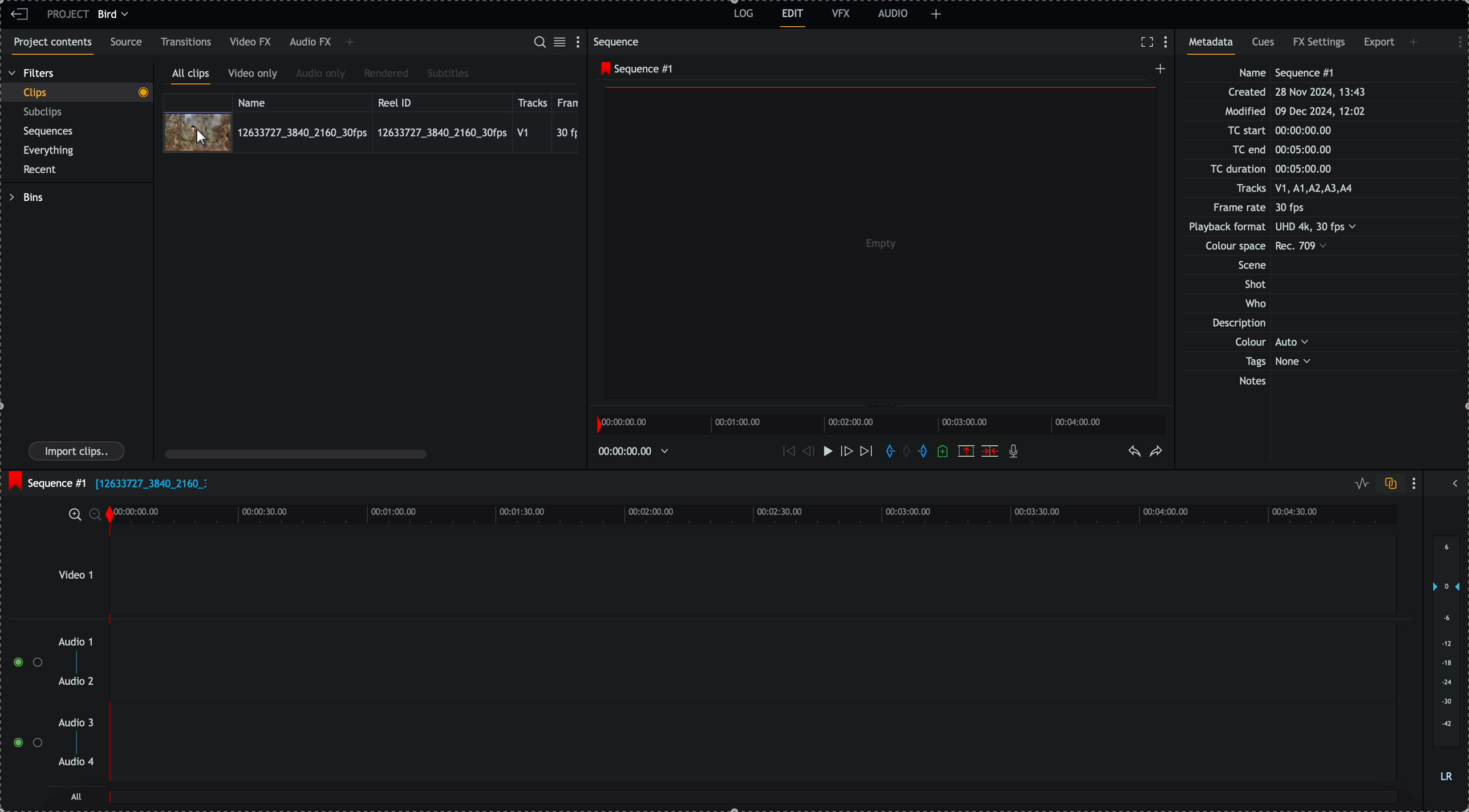  What do you see at coordinates (128, 43) in the screenshot?
I see `source` at bounding box center [128, 43].